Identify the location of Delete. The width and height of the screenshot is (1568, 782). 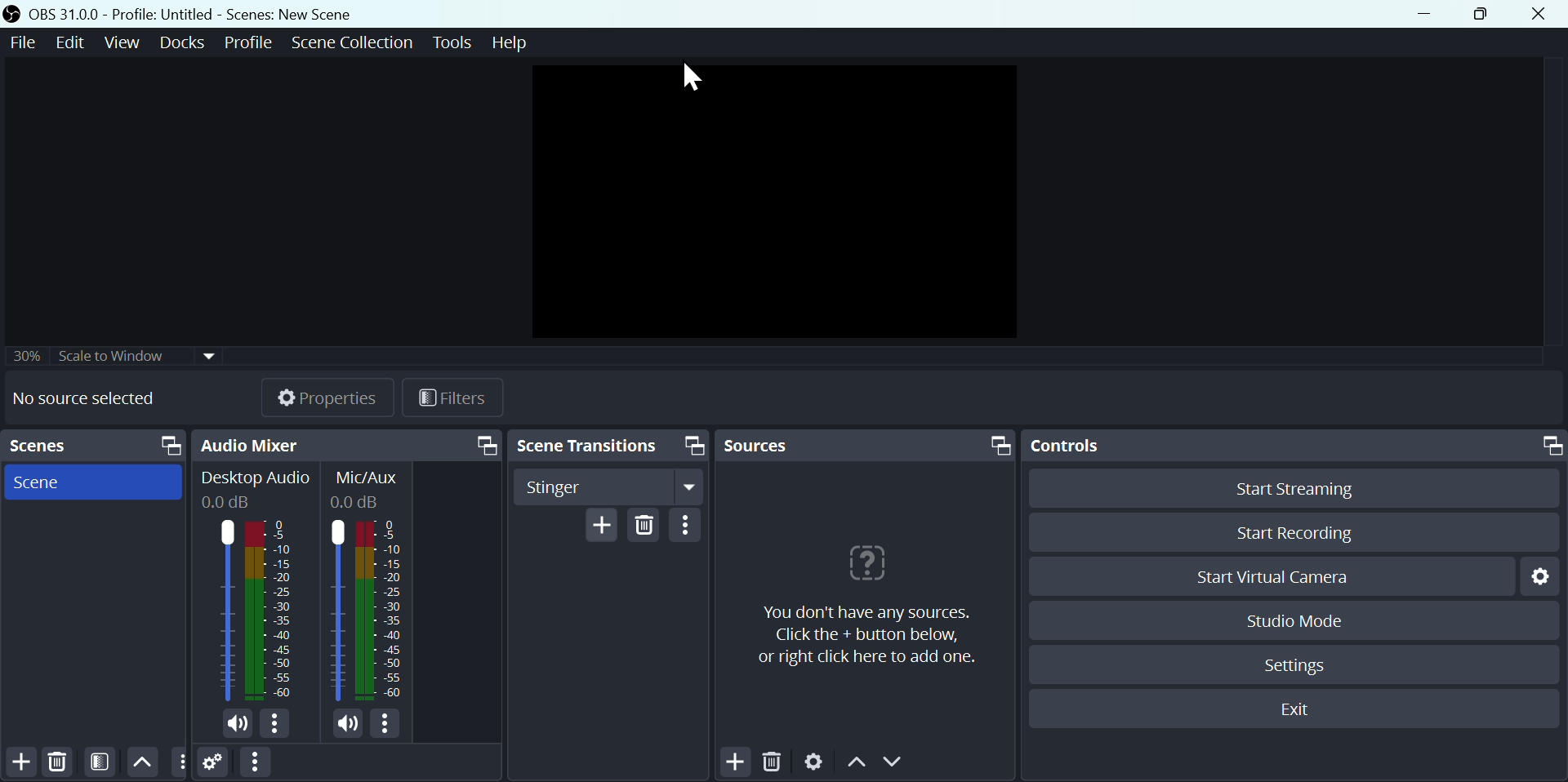
(777, 762).